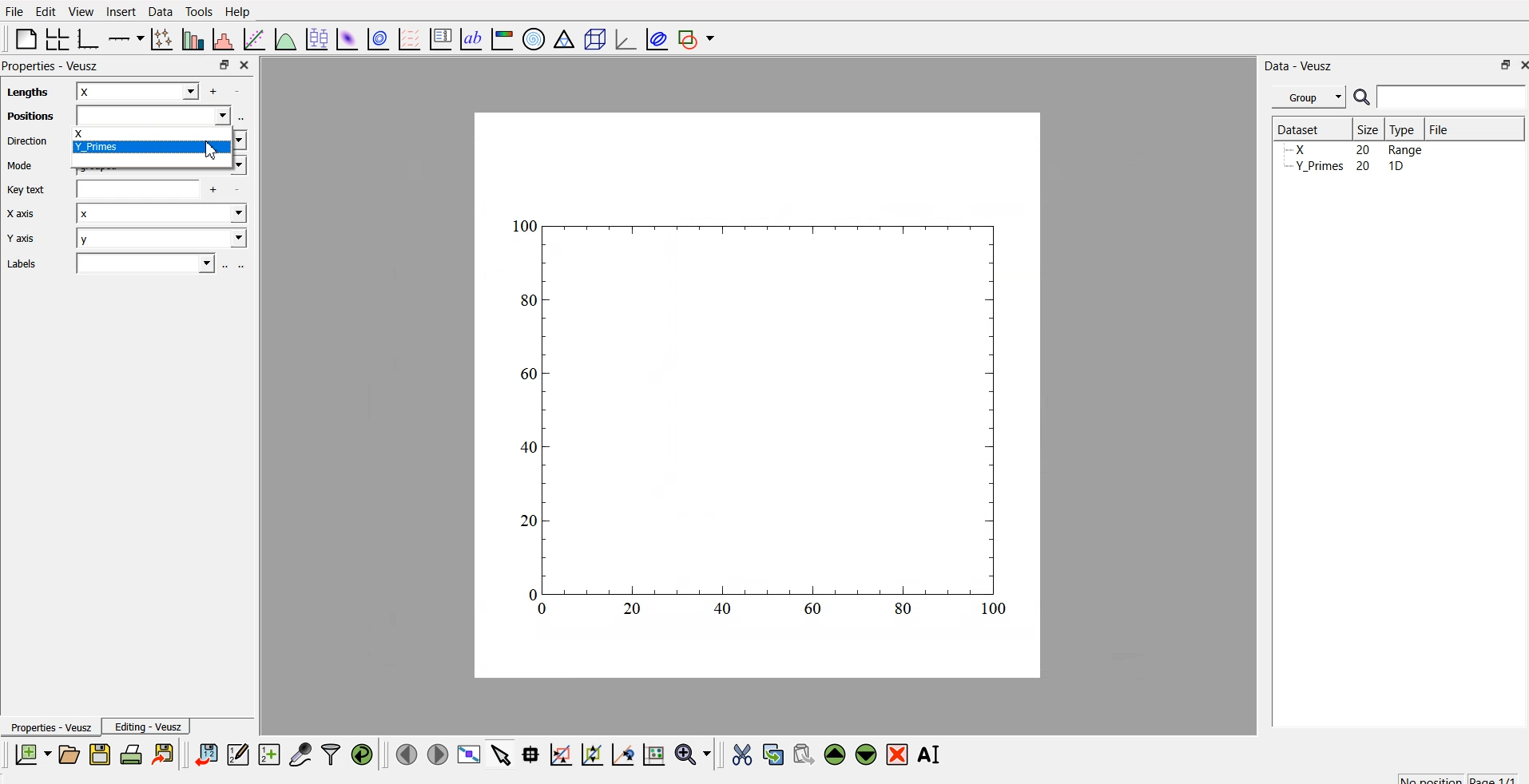 This screenshot has width=1529, height=784. What do you see at coordinates (43, 10) in the screenshot?
I see `Edit` at bounding box center [43, 10].